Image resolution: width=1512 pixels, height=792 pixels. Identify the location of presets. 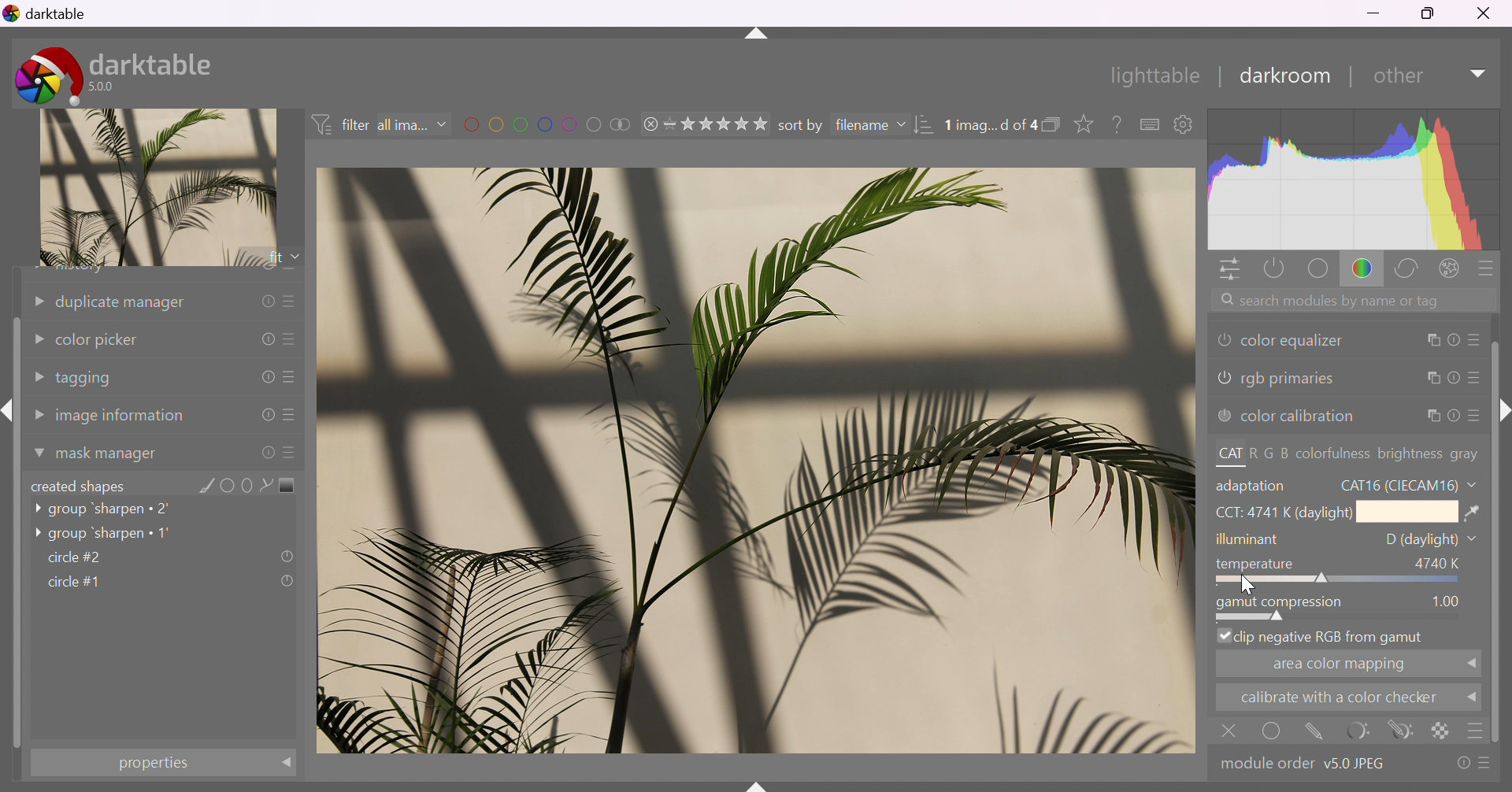
(1487, 270).